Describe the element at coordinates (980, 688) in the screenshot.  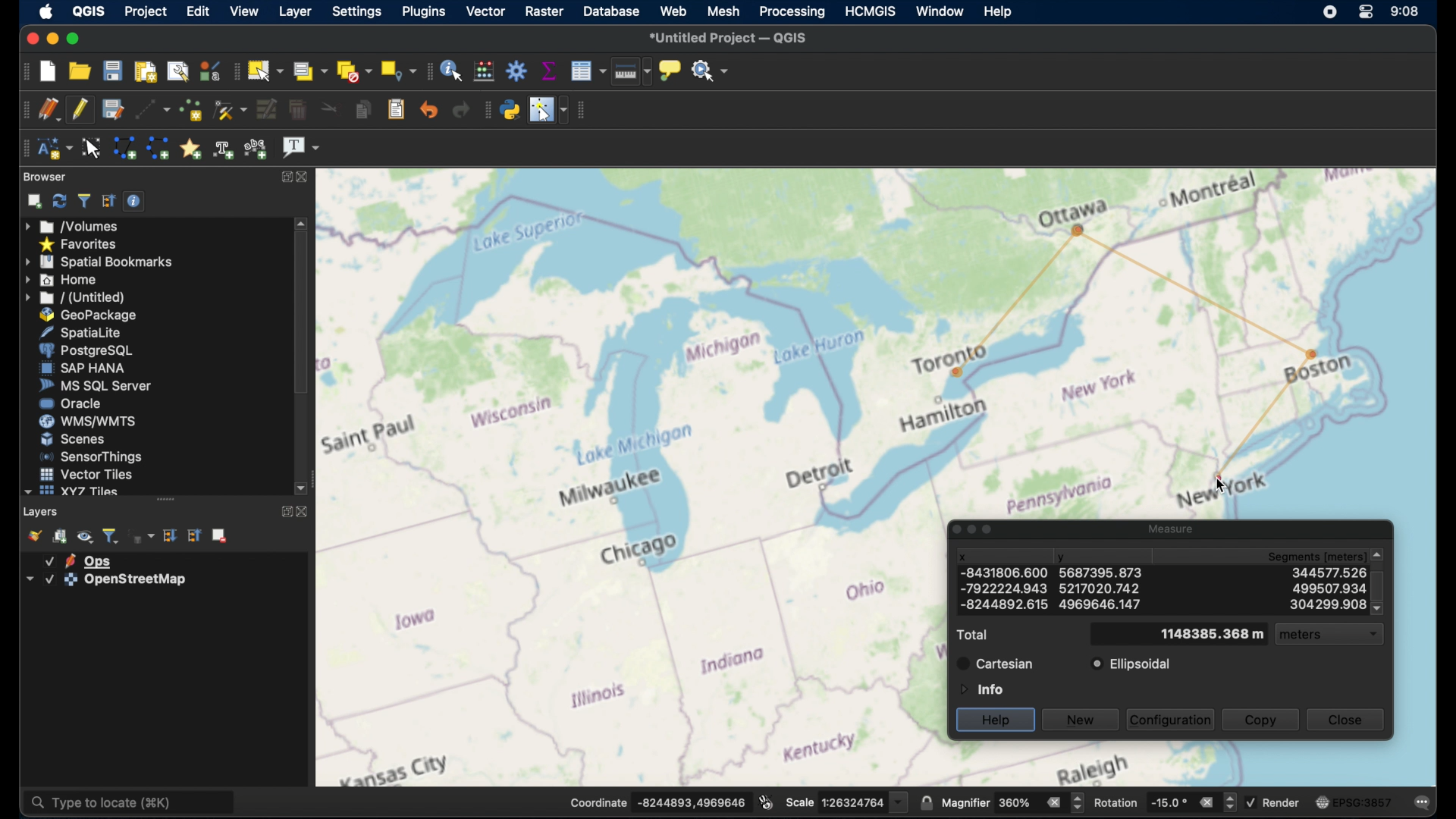
I see `information` at that location.